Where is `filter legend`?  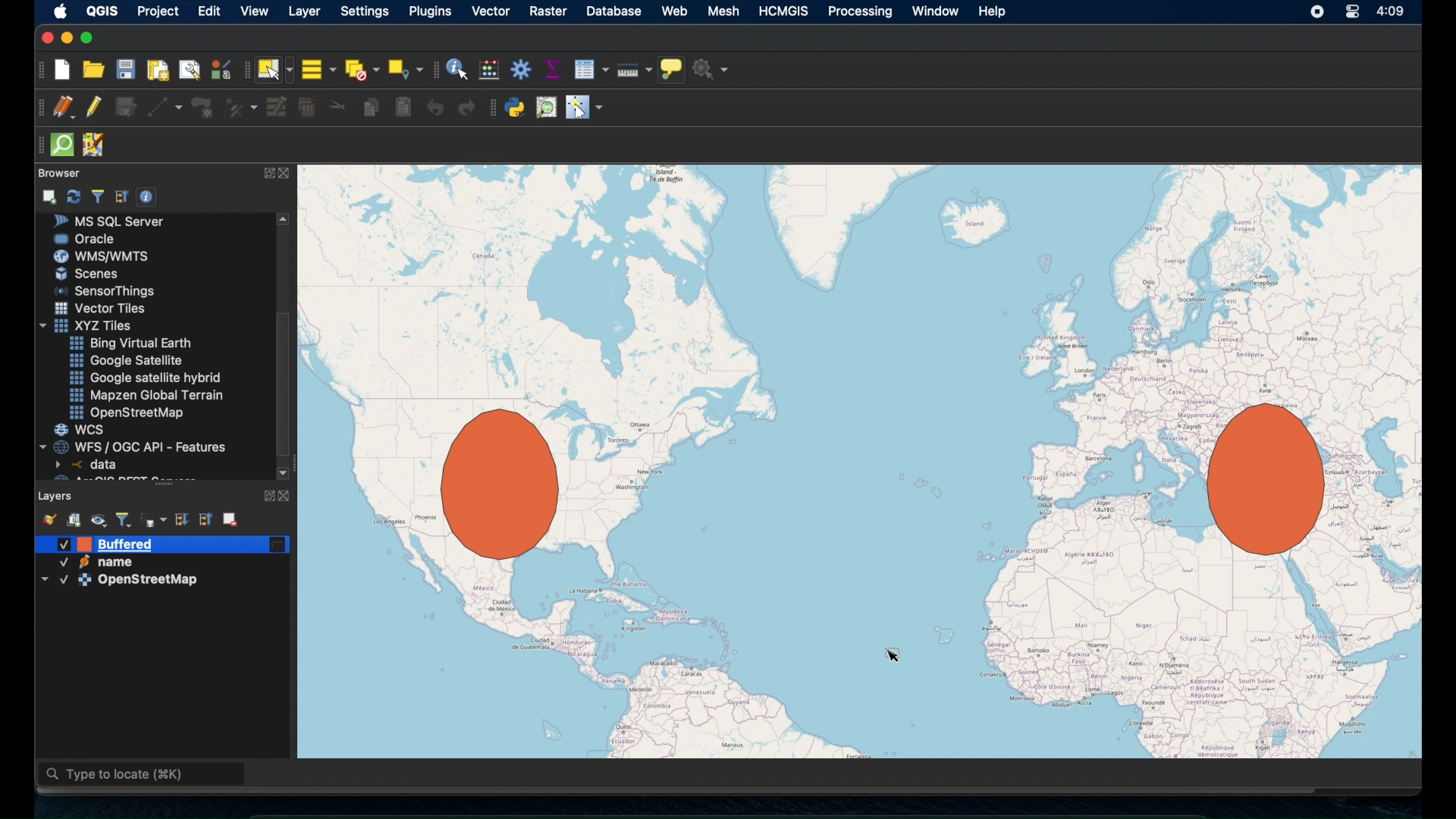 filter legend is located at coordinates (124, 518).